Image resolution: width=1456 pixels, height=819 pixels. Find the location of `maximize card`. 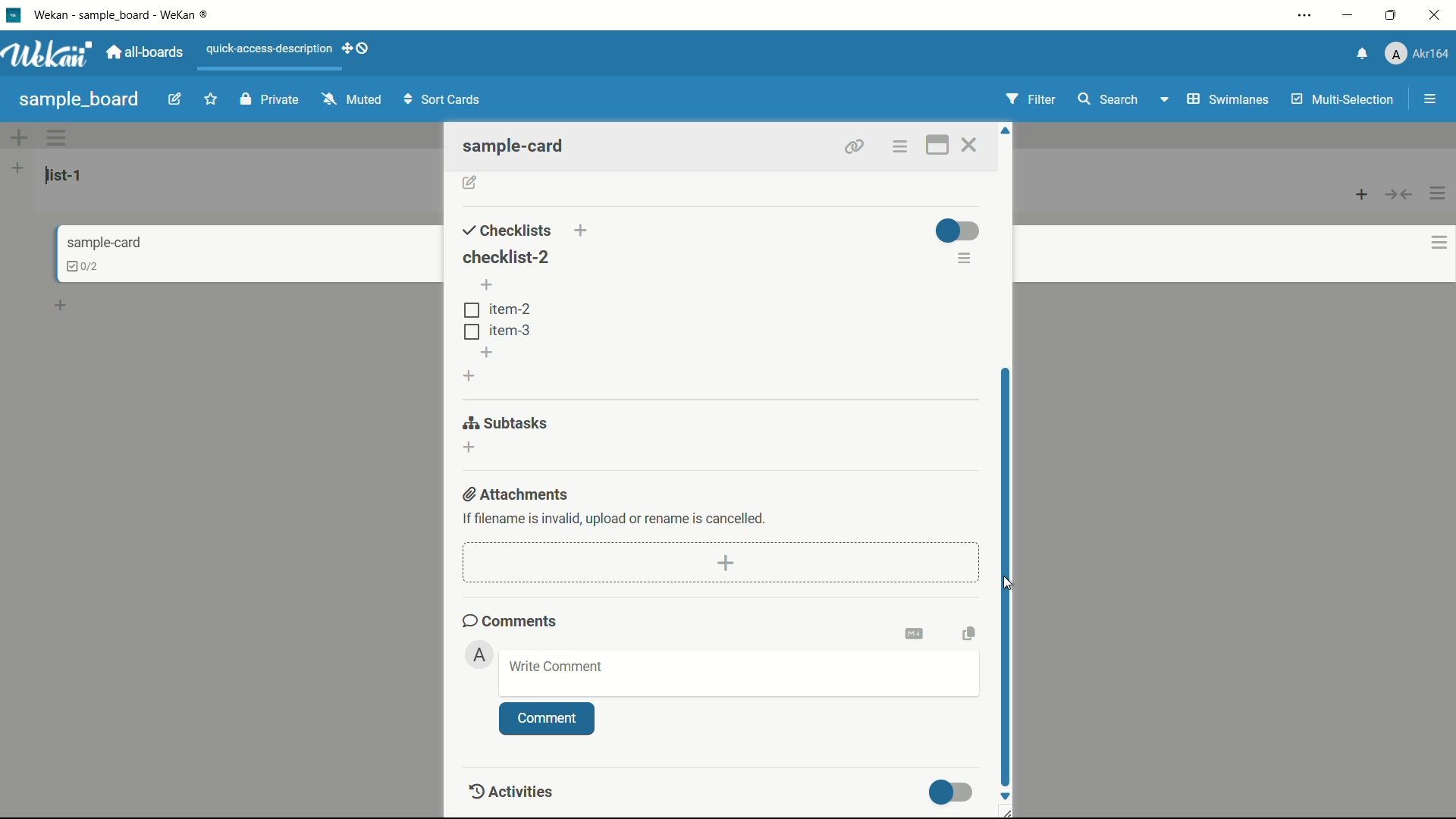

maximize card is located at coordinates (936, 145).